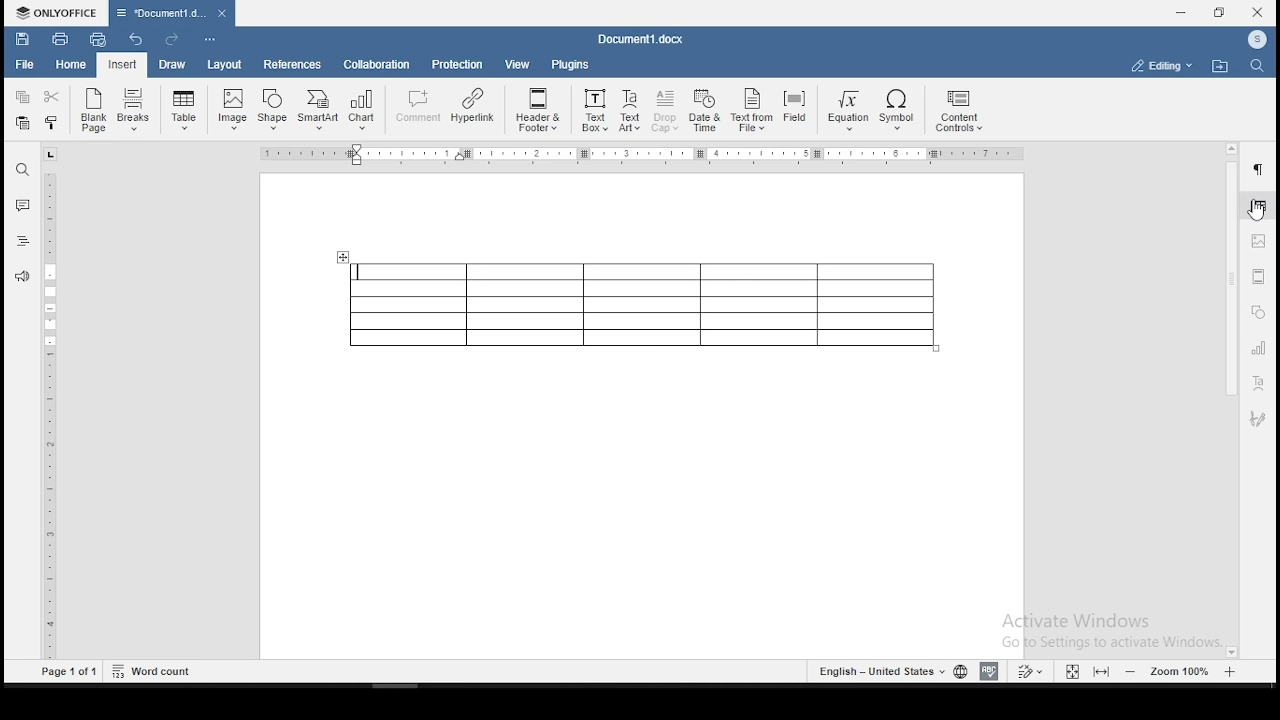 Image resolution: width=1280 pixels, height=720 pixels. I want to click on SmartArt, so click(317, 110).